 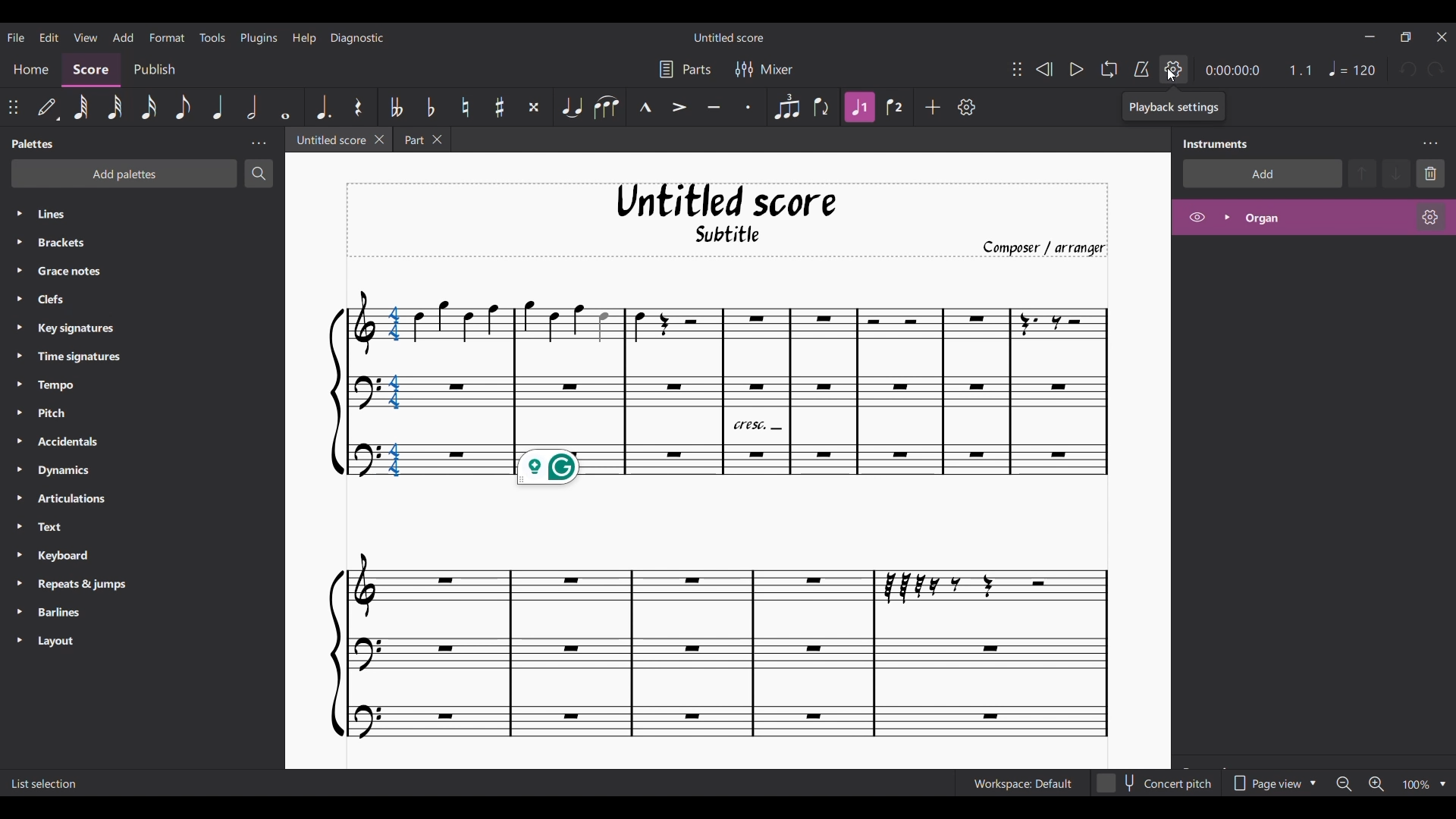 What do you see at coordinates (124, 174) in the screenshot?
I see `Add palette` at bounding box center [124, 174].